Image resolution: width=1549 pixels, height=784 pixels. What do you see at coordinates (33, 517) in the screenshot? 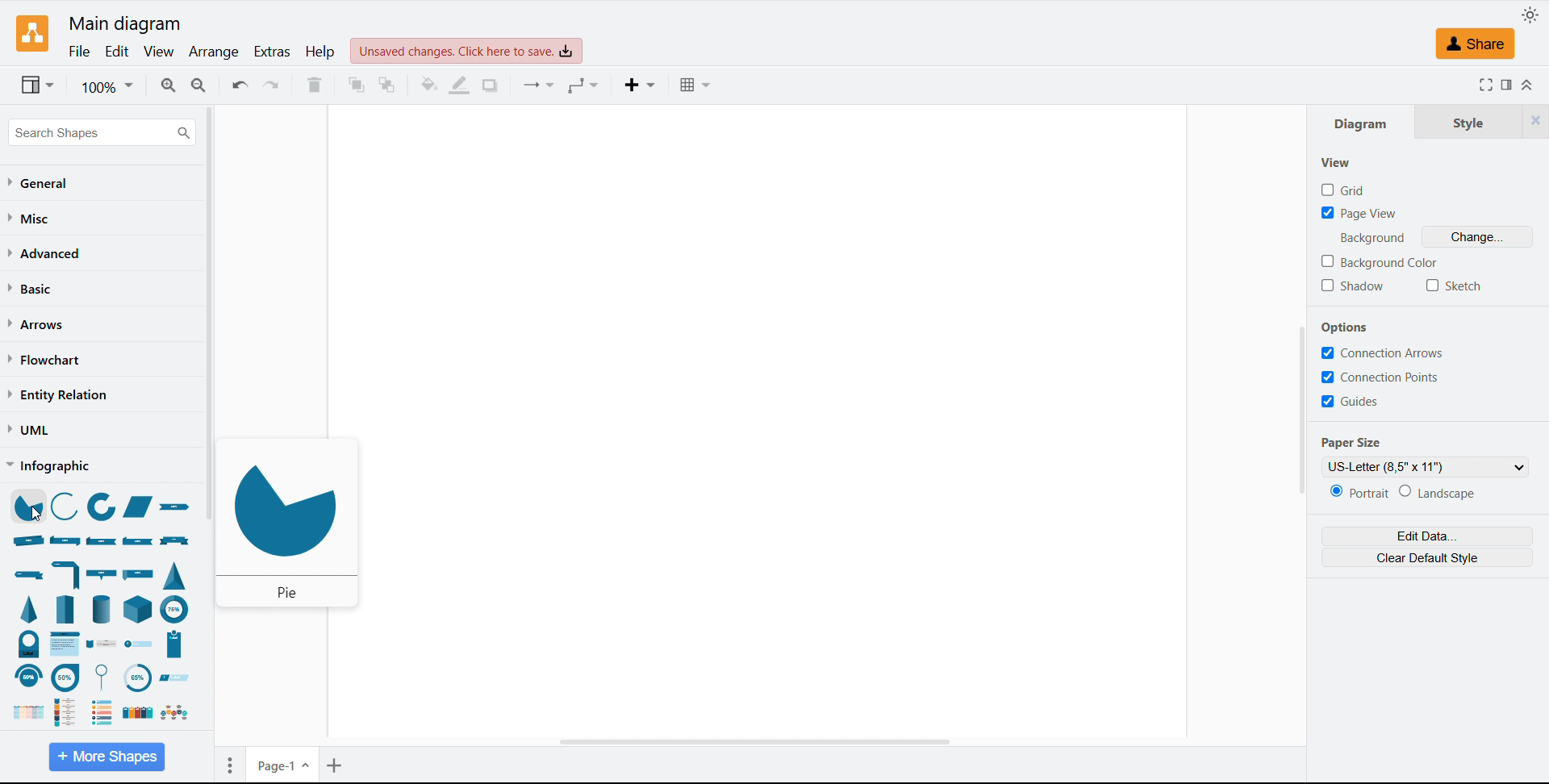
I see `cursor` at bounding box center [33, 517].